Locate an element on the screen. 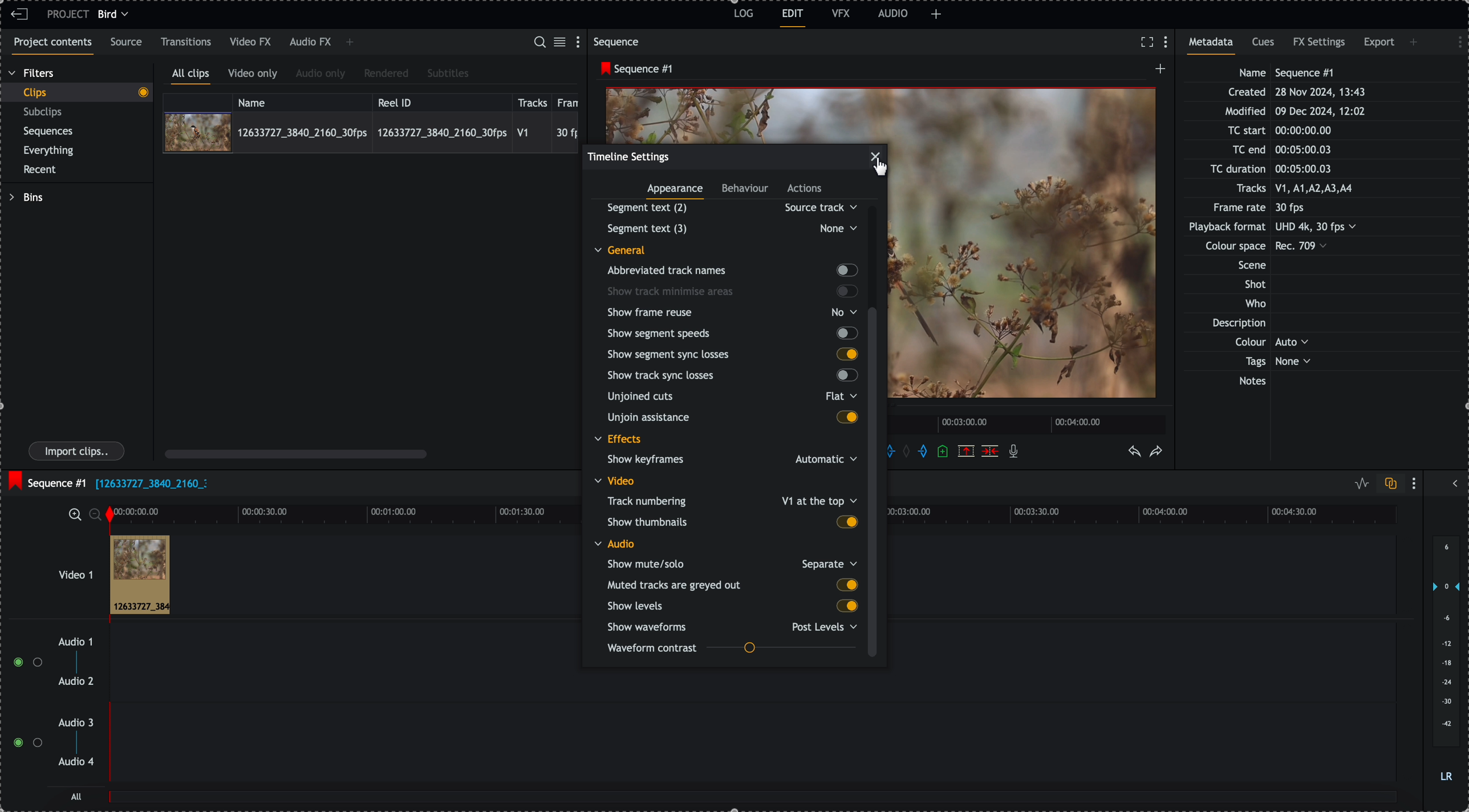  recent is located at coordinates (42, 170).